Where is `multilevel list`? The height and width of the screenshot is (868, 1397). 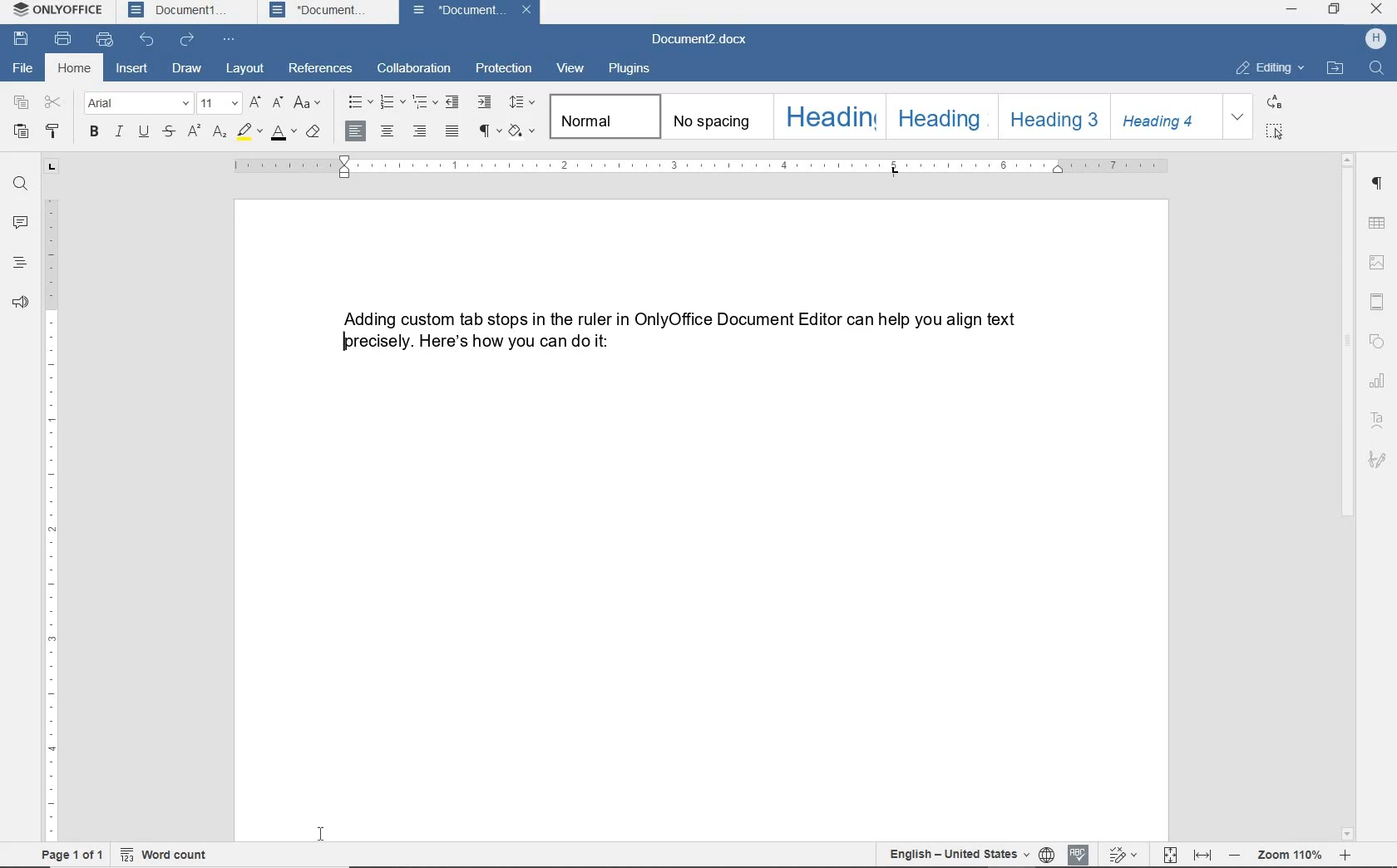
multilevel list is located at coordinates (422, 100).